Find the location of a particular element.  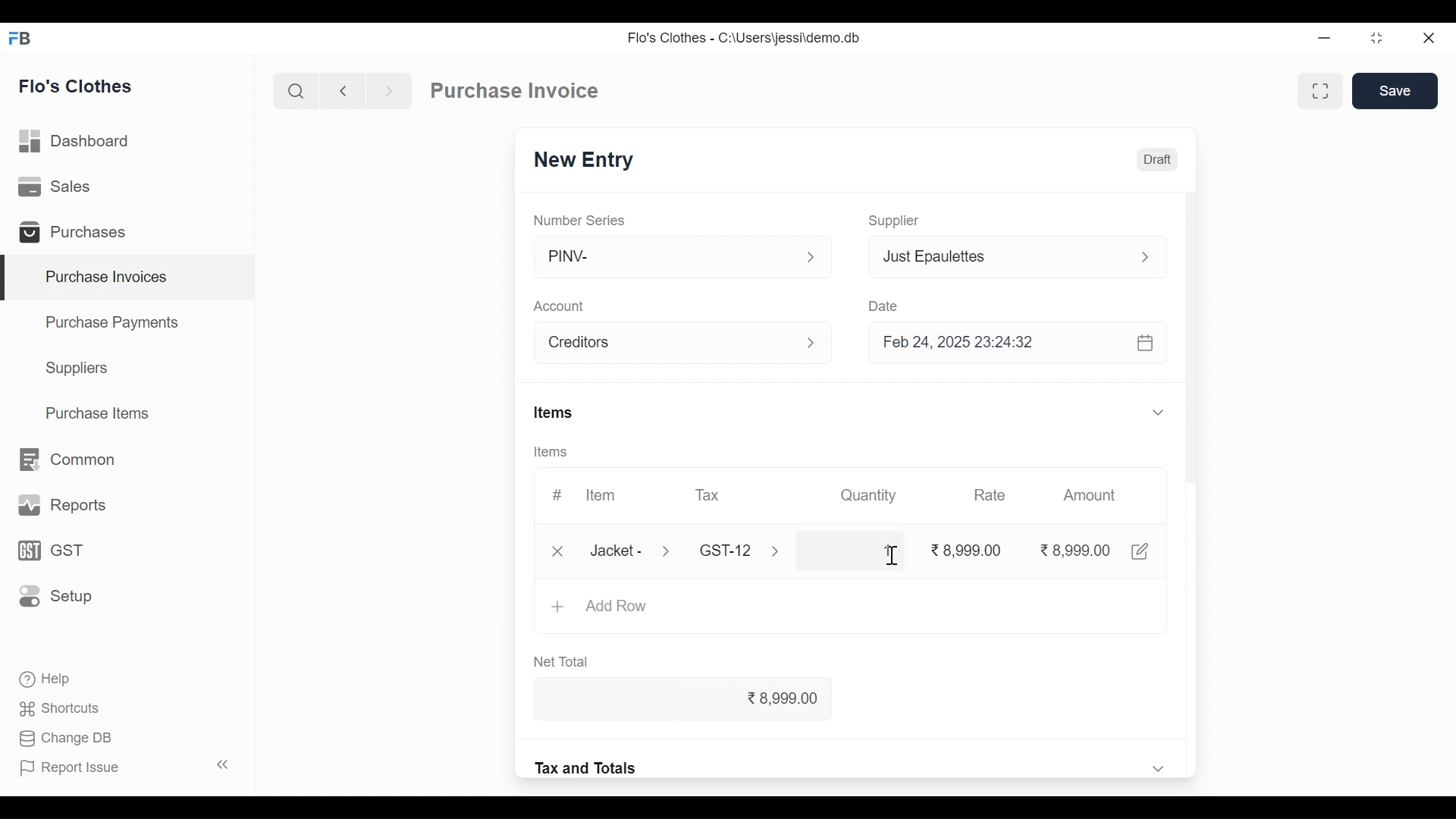

Supplier is located at coordinates (897, 221).